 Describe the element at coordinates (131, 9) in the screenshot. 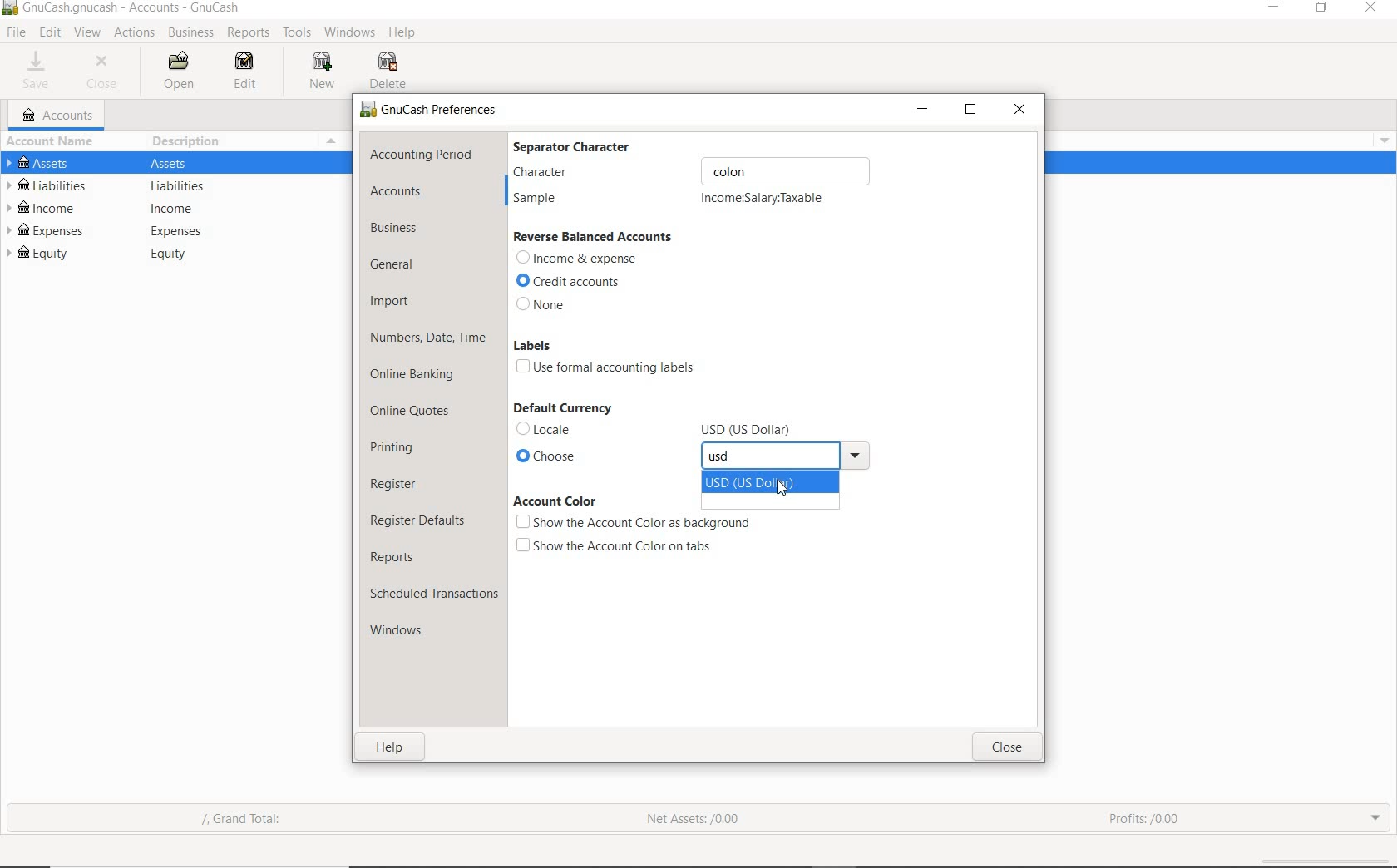

I see `system name` at that location.